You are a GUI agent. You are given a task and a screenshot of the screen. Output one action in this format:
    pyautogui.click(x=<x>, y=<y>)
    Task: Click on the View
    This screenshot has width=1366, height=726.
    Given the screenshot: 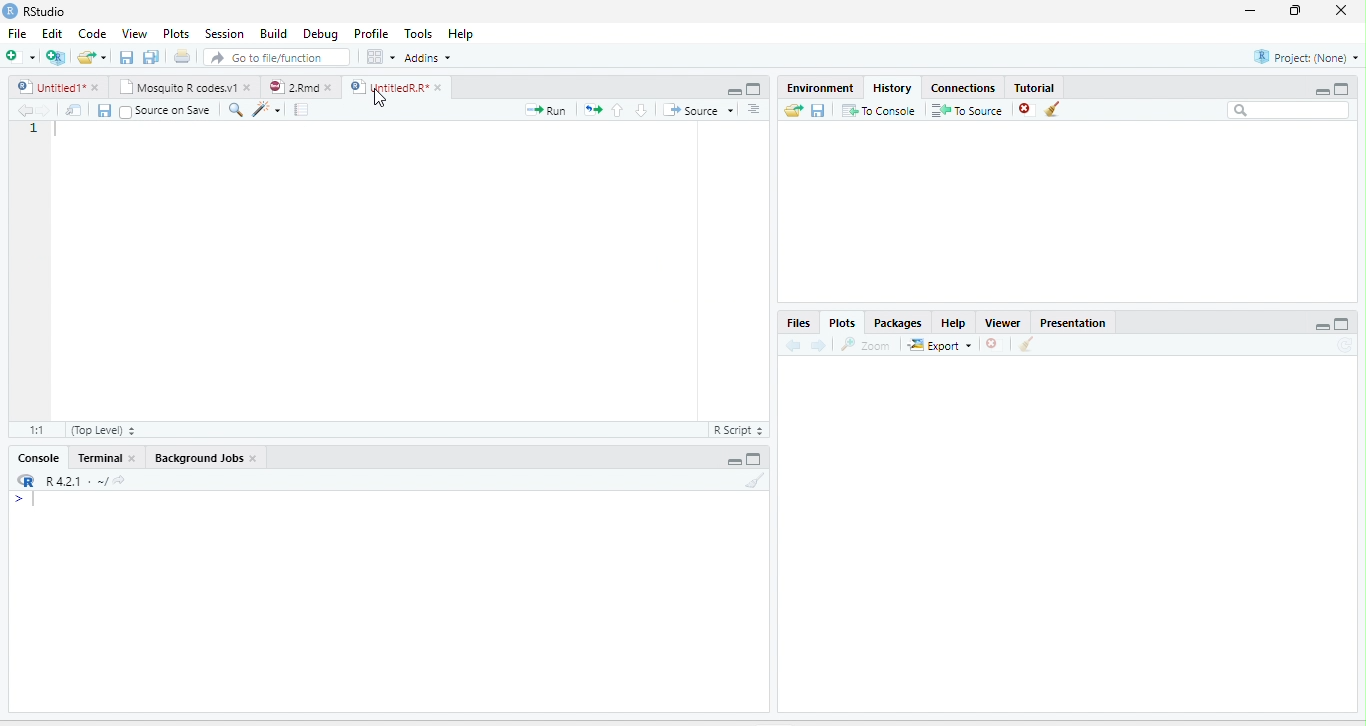 What is the action you would take?
    pyautogui.click(x=133, y=33)
    